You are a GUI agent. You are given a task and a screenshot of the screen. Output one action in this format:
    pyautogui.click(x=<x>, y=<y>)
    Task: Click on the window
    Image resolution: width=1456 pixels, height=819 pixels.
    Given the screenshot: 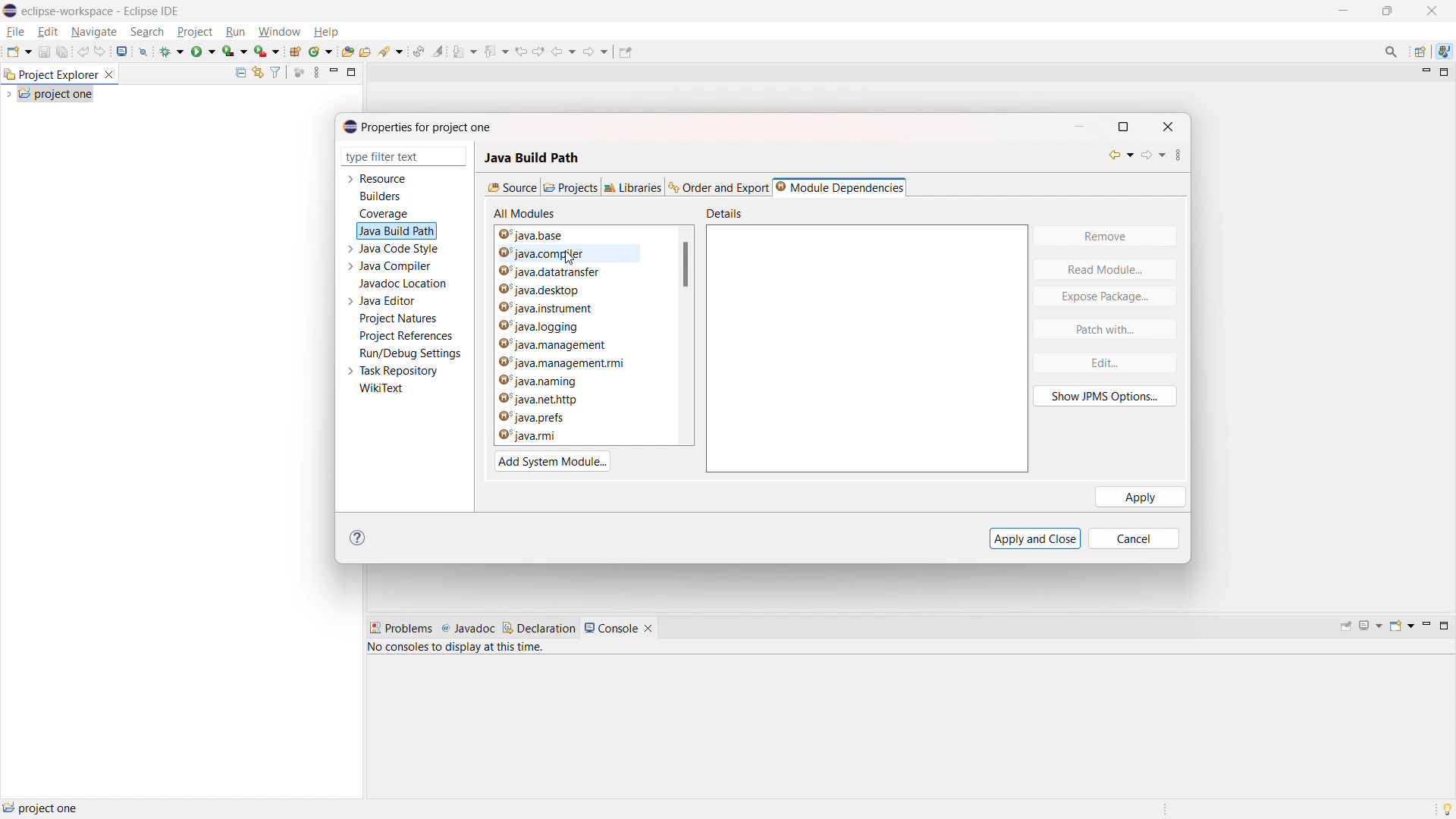 What is the action you would take?
    pyautogui.click(x=278, y=33)
    